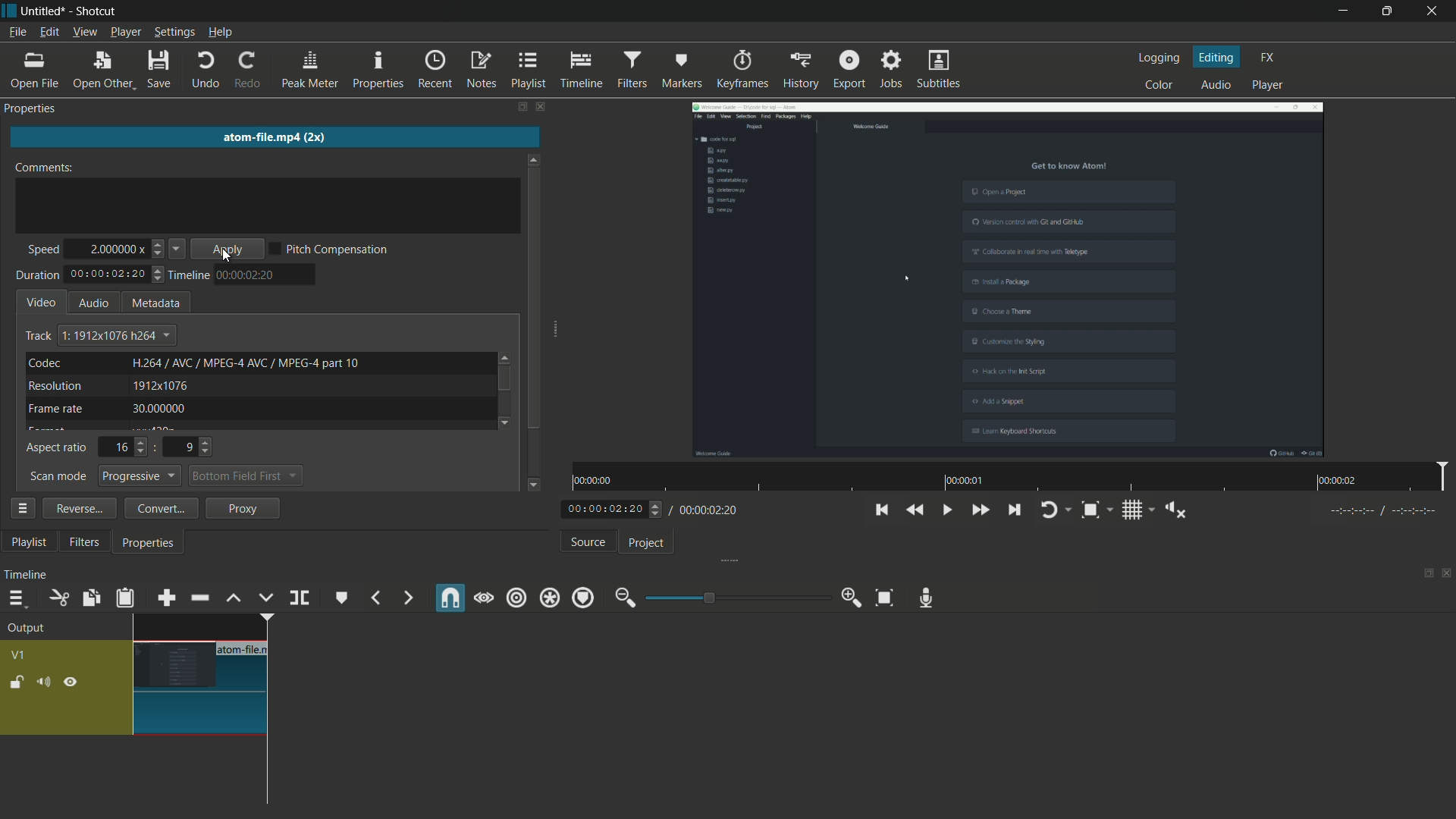  Describe the element at coordinates (433, 71) in the screenshot. I see `recent` at that location.